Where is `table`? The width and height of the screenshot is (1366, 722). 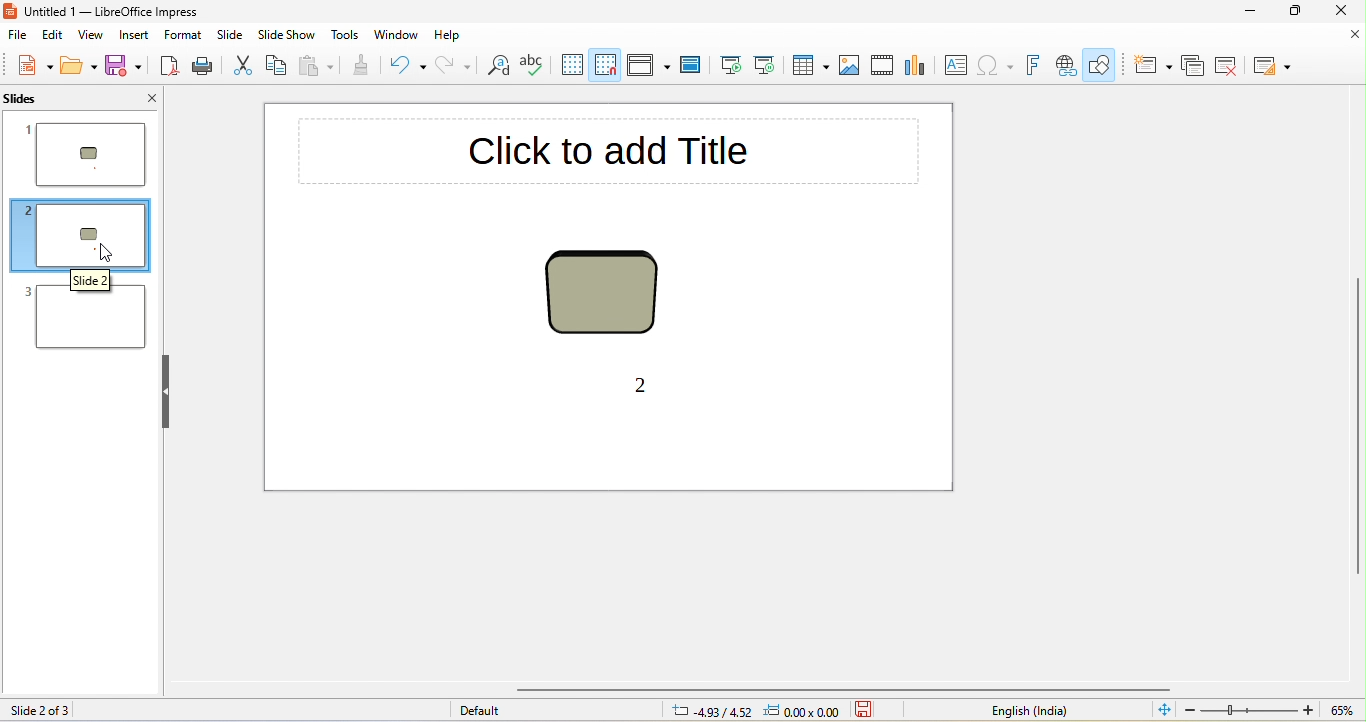
table is located at coordinates (811, 64).